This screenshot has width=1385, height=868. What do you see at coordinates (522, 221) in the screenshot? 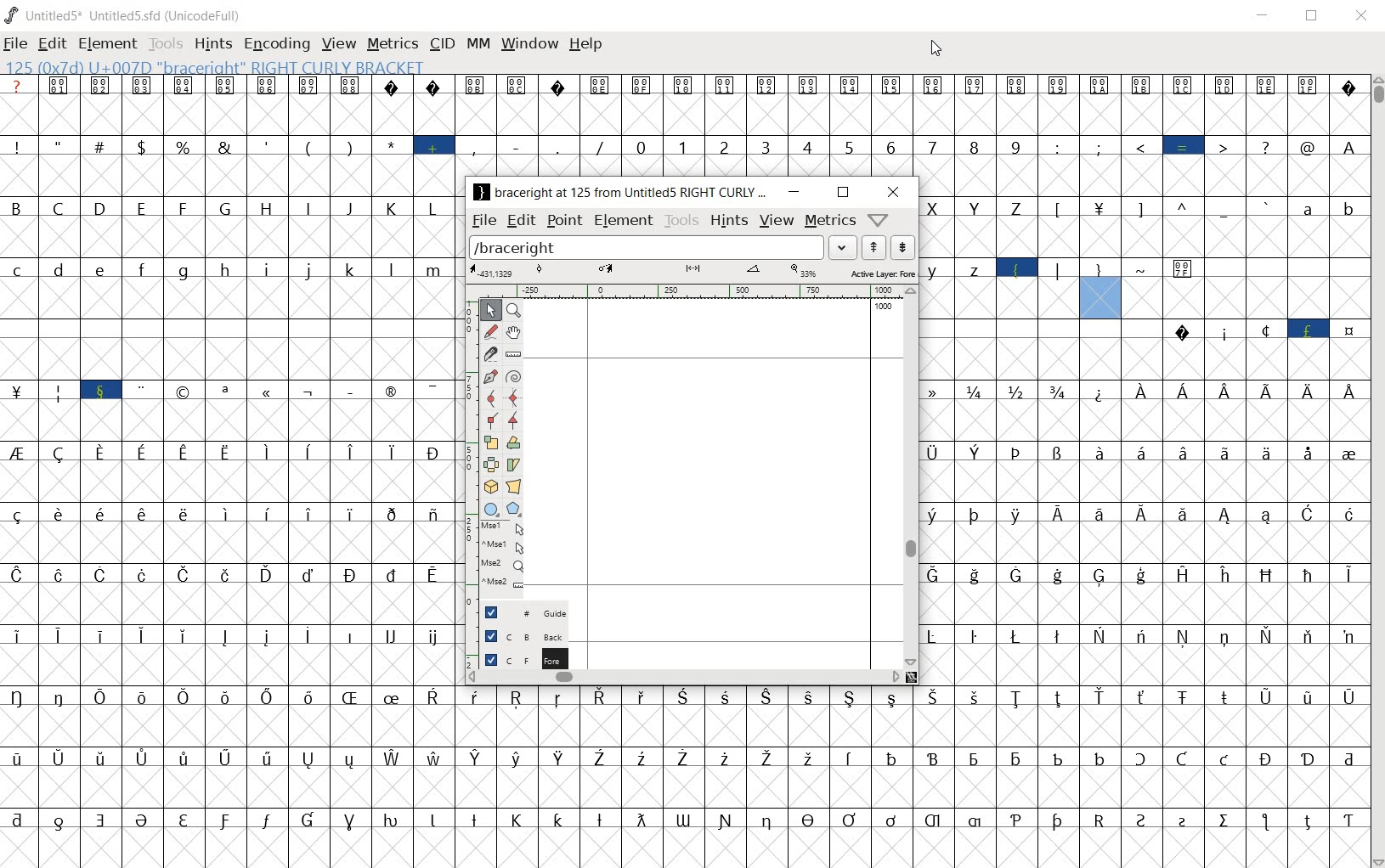
I see `edit` at bounding box center [522, 221].